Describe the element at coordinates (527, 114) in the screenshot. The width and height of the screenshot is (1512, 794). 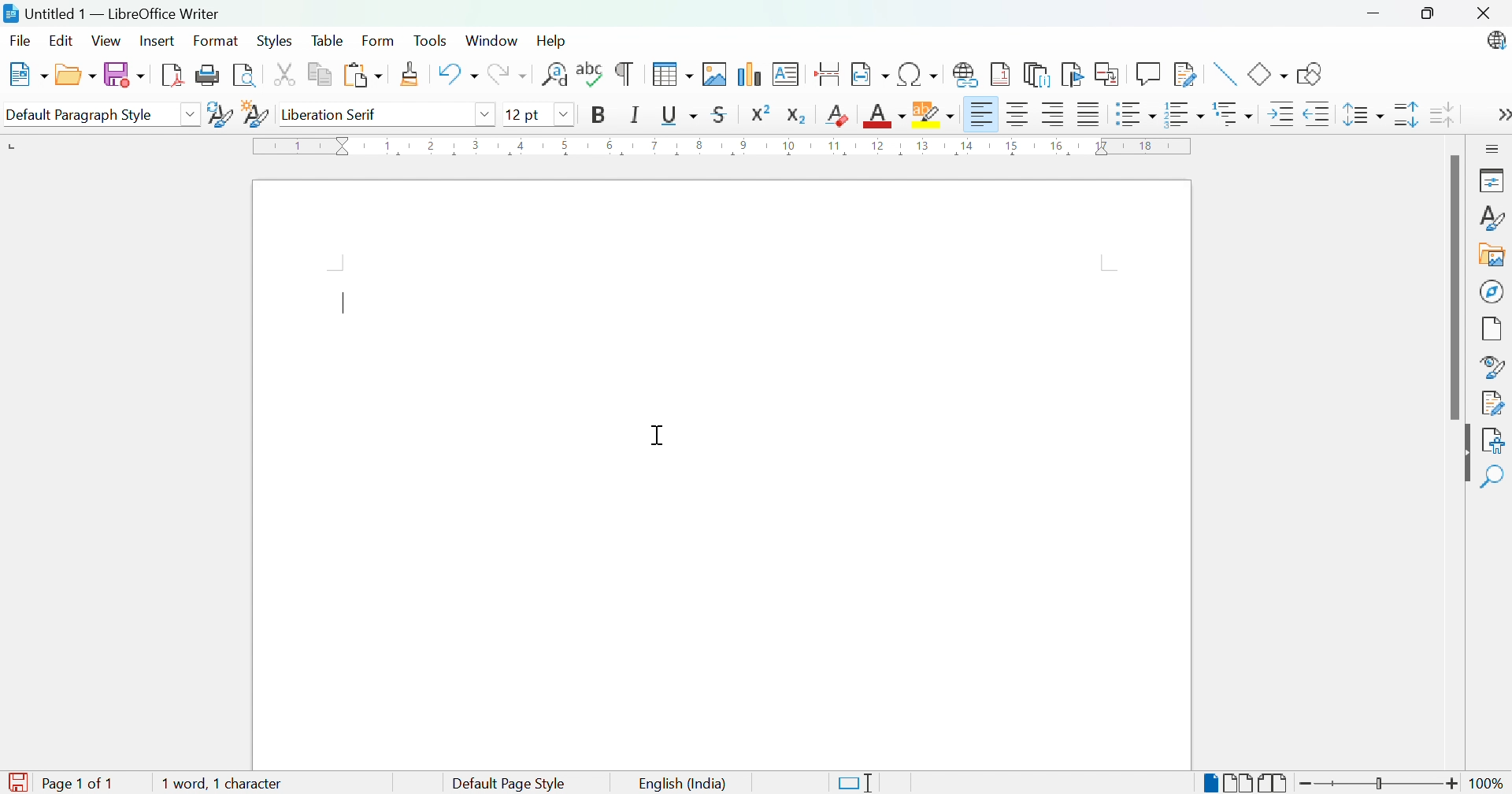
I see `12 pt` at that location.